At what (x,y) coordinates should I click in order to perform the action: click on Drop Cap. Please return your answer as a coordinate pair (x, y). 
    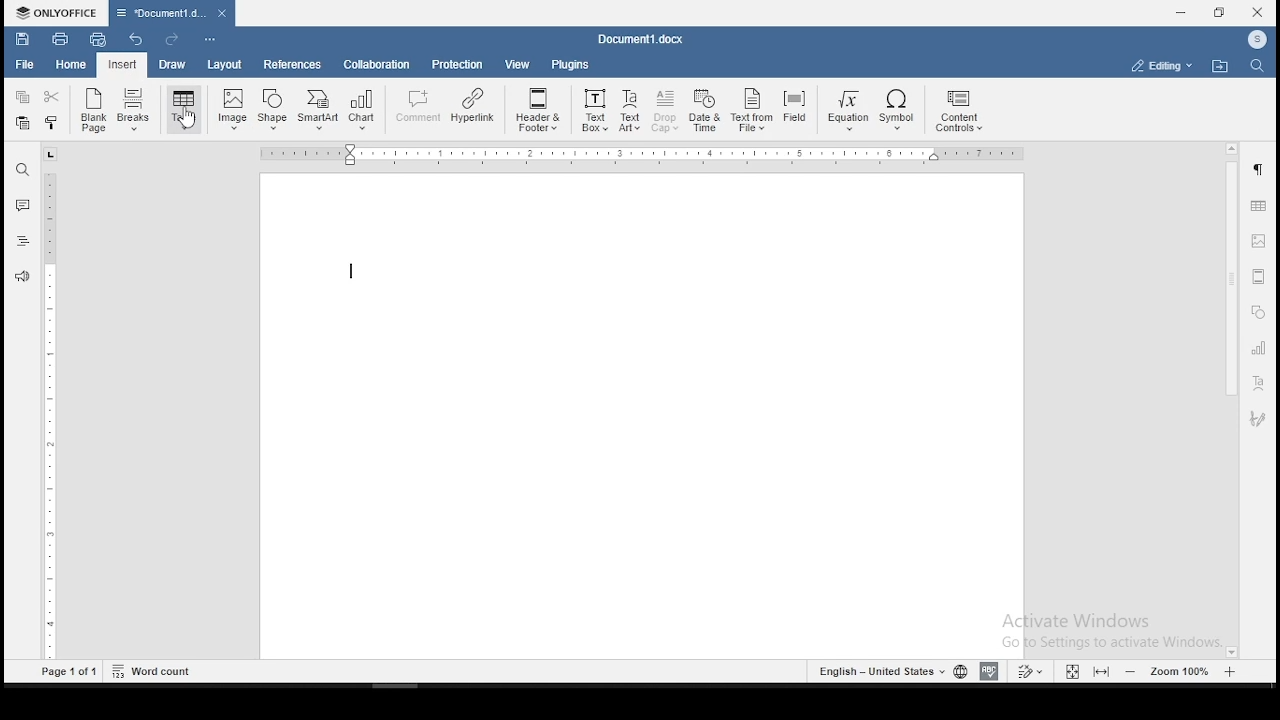
    Looking at the image, I should click on (666, 112).